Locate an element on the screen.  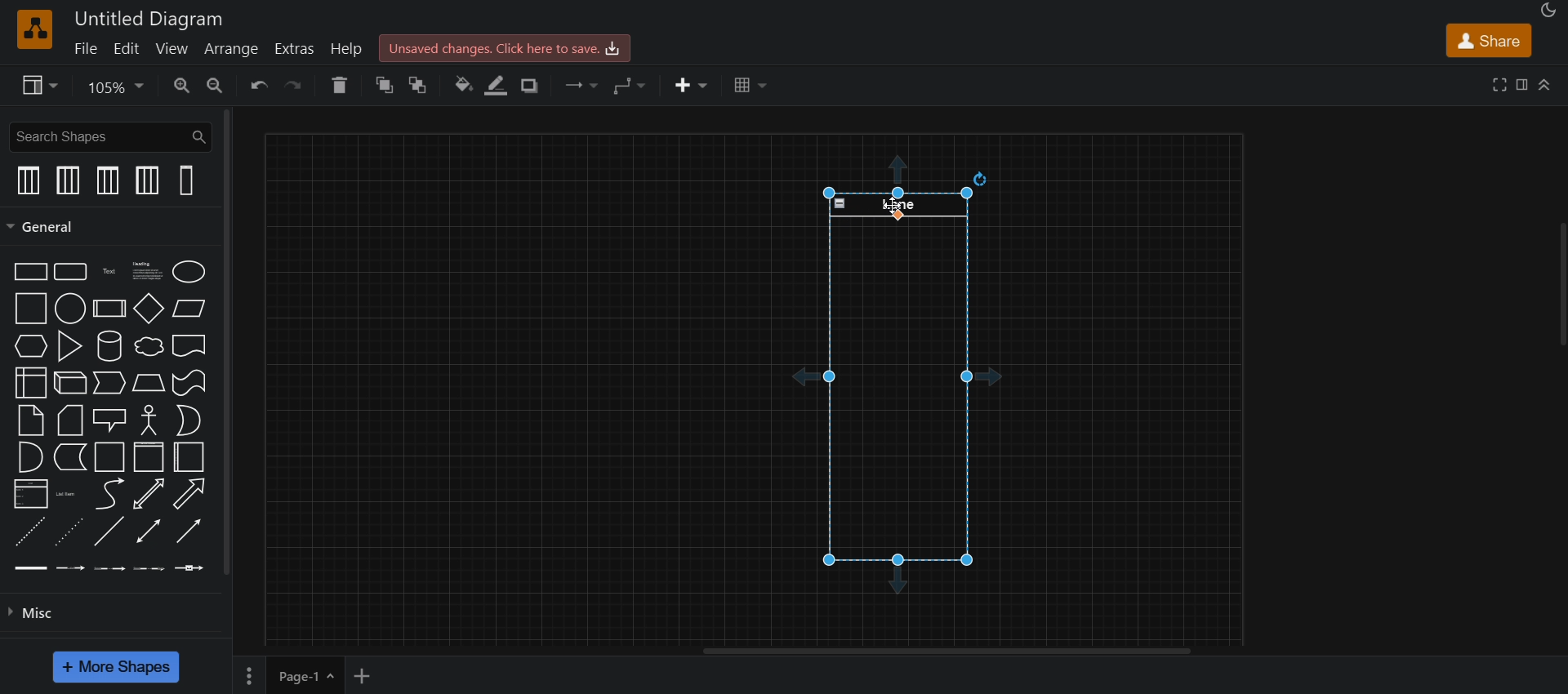
document is located at coordinates (191, 345).